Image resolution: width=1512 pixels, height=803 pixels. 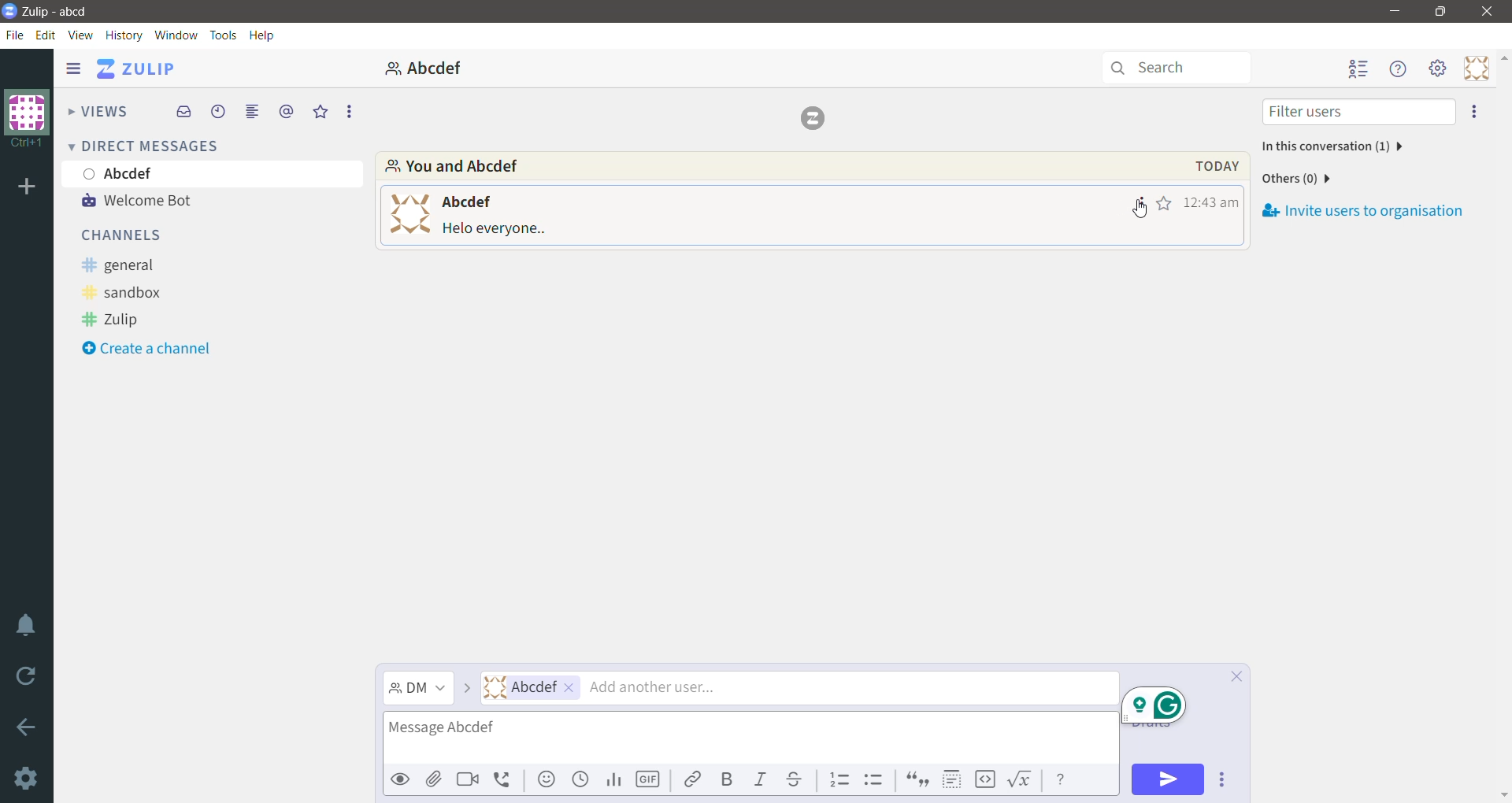 I want to click on logo, so click(x=817, y=118).